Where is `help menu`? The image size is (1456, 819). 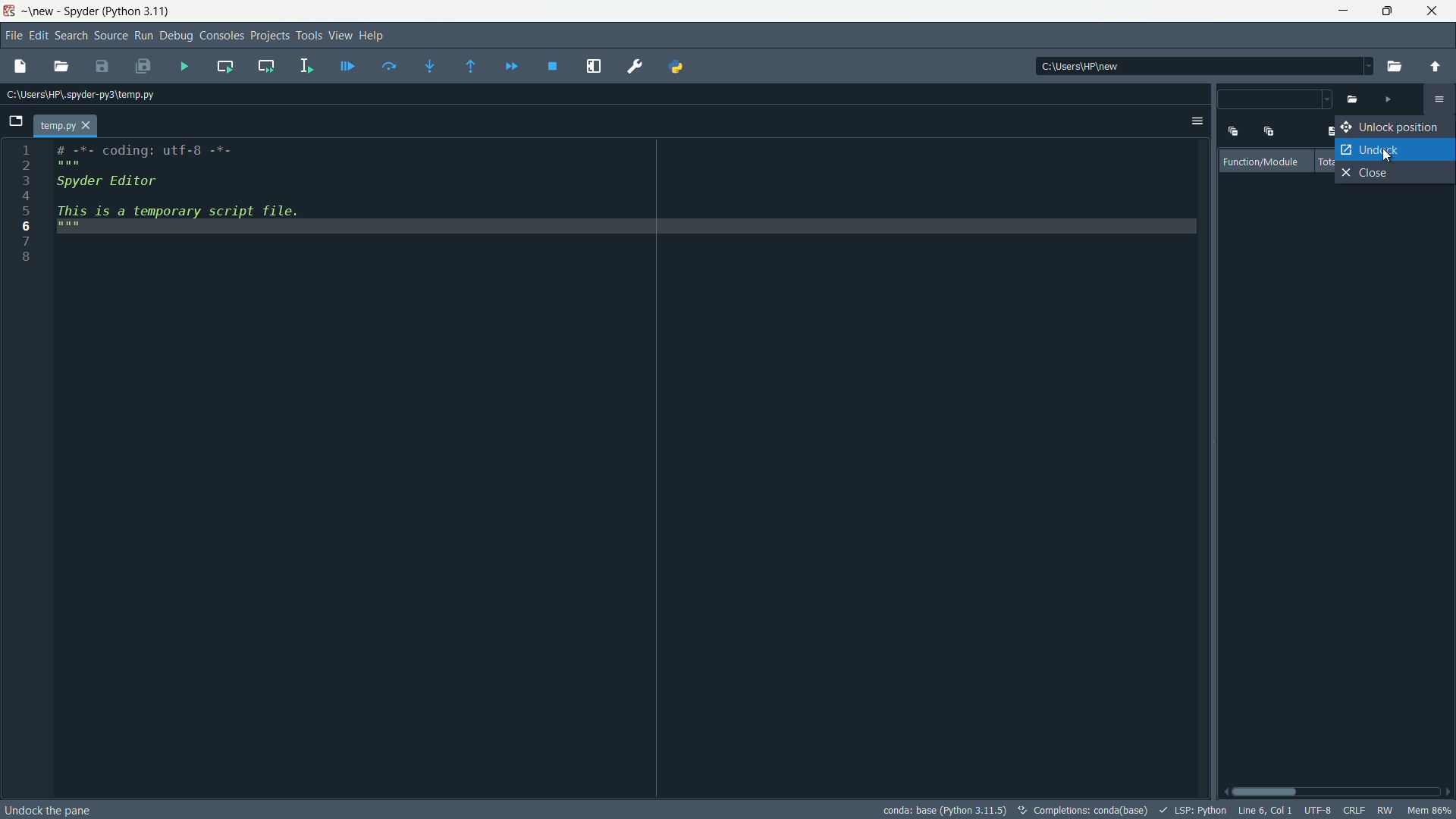 help menu is located at coordinates (374, 35).